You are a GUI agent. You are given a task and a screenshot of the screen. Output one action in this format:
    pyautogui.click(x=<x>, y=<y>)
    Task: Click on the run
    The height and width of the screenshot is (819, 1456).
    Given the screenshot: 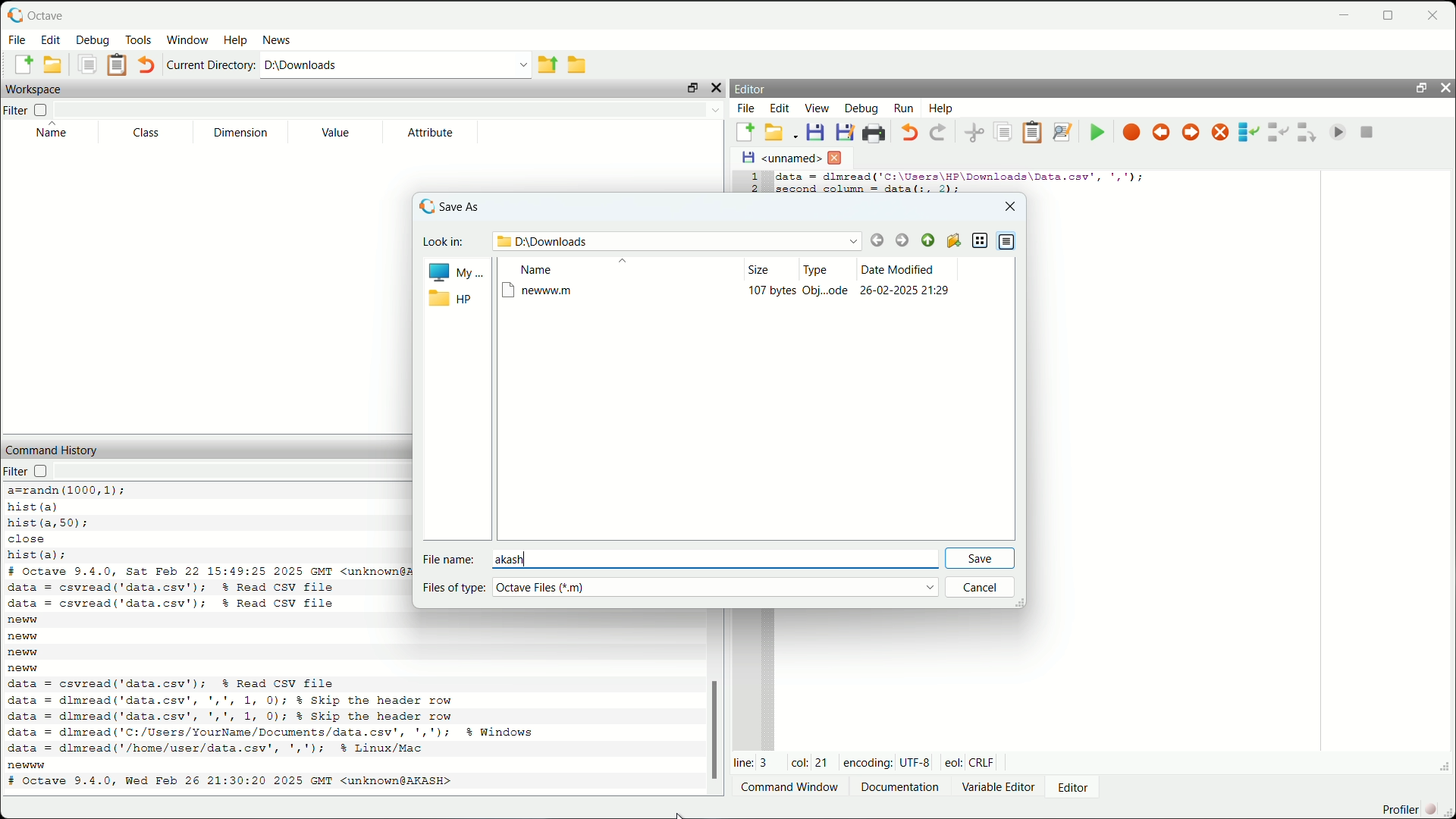 What is the action you would take?
    pyautogui.click(x=901, y=108)
    